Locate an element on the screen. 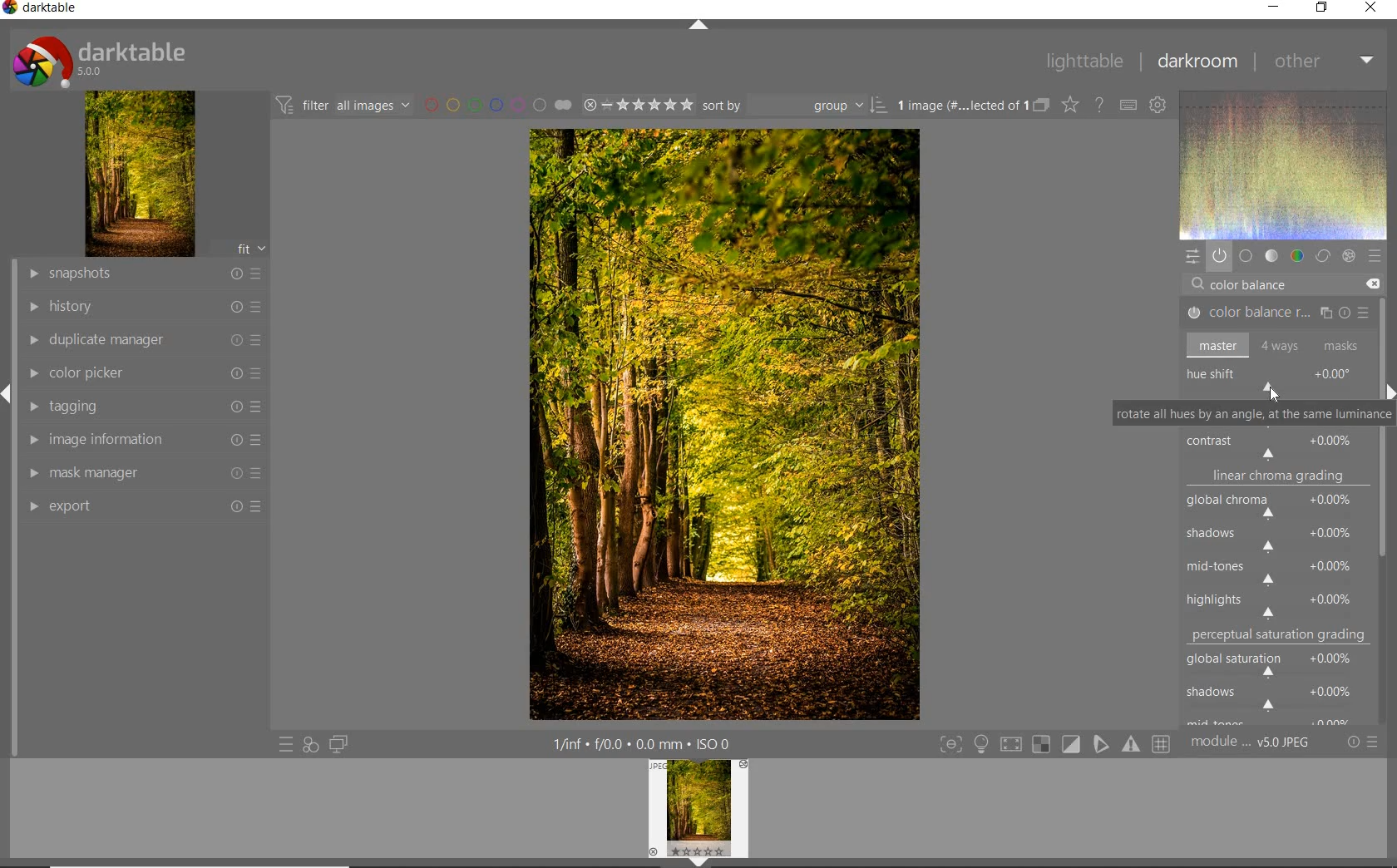 The image size is (1397, 868). shadows is located at coordinates (1276, 696).